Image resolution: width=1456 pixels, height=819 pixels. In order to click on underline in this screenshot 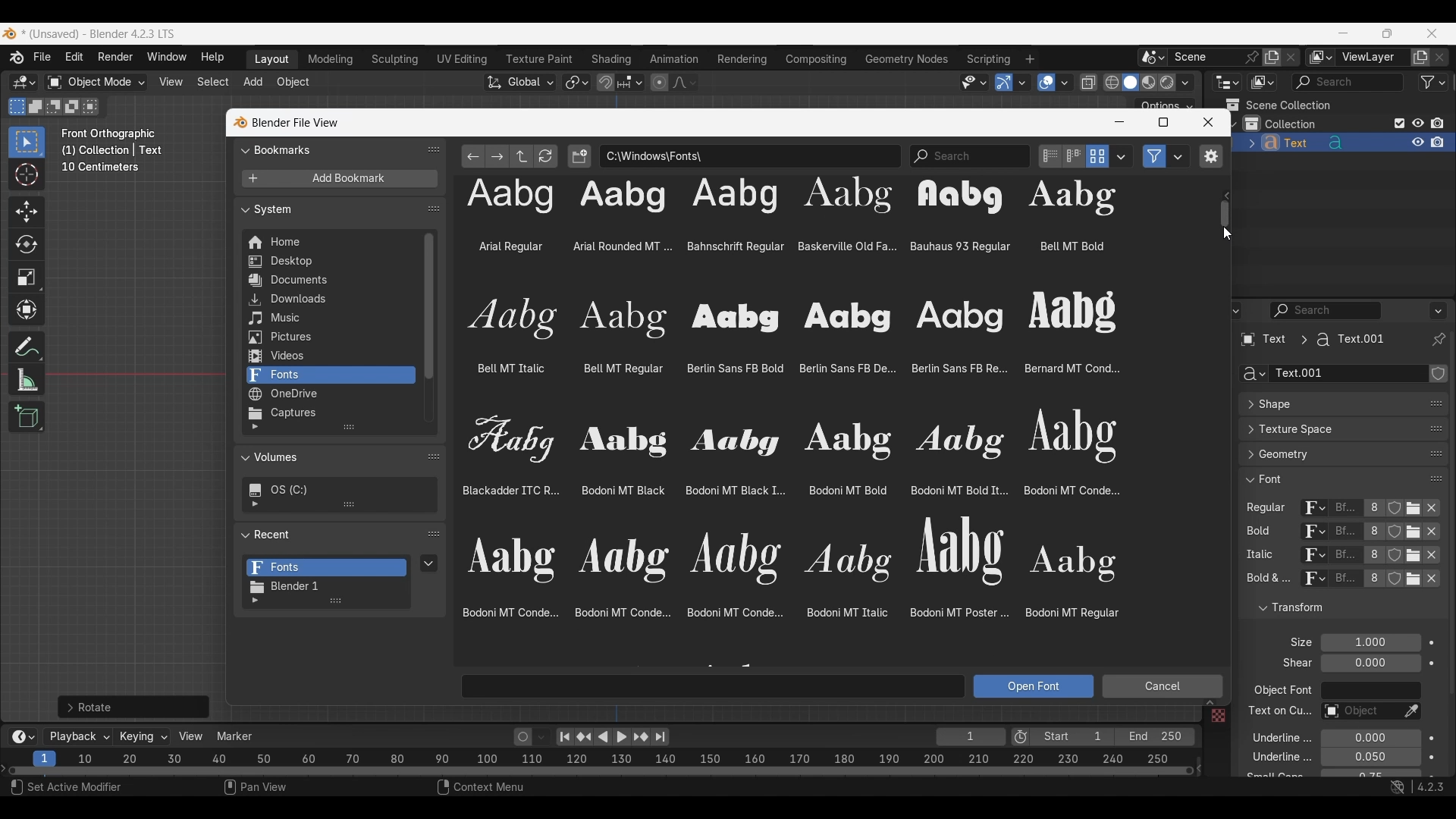, I will do `click(1269, 759)`.